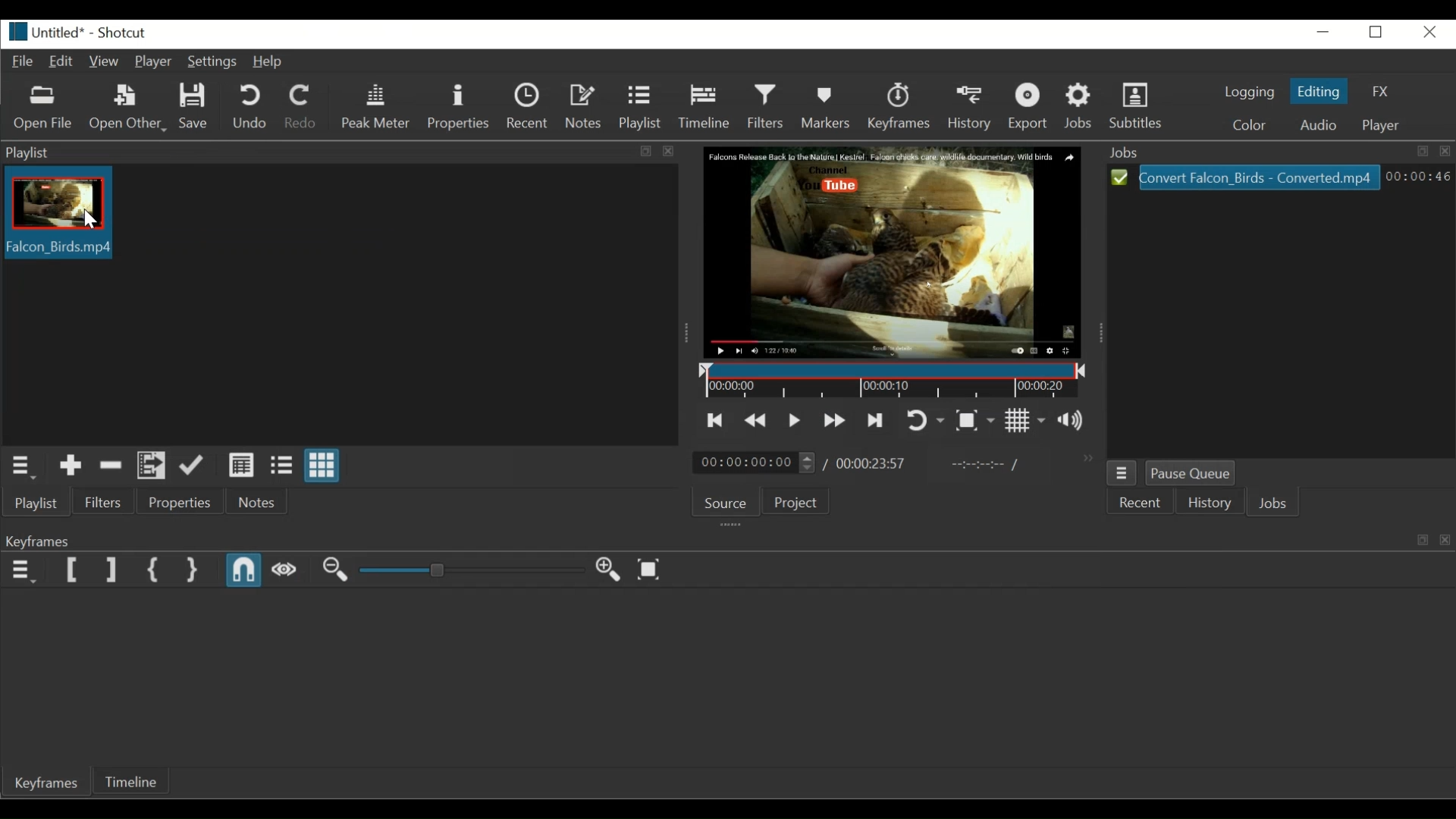  What do you see at coordinates (156, 571) in the screenshot?
I see `Set First Simple Keyframe` at bounding box center [156, 571].